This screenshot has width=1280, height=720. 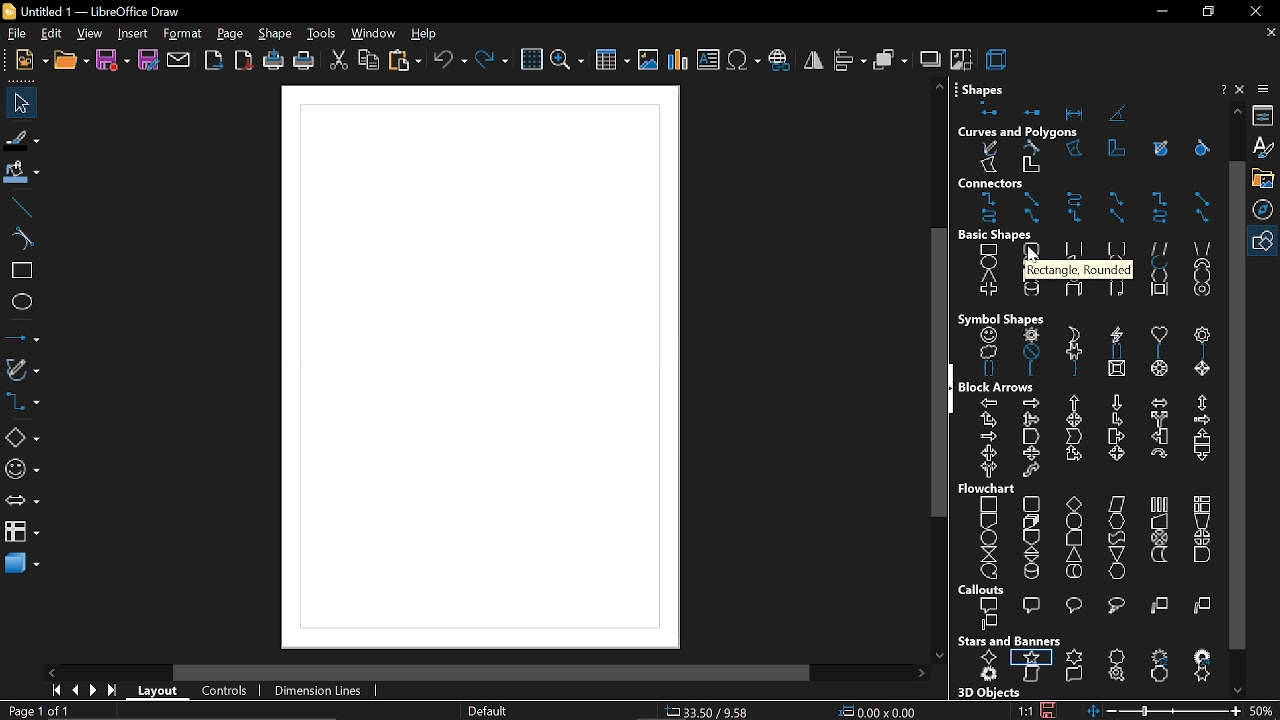 What do you see at coordinates (939, 86) in the screenshot?
I see `scroll up` at bounding box center [939, 86].